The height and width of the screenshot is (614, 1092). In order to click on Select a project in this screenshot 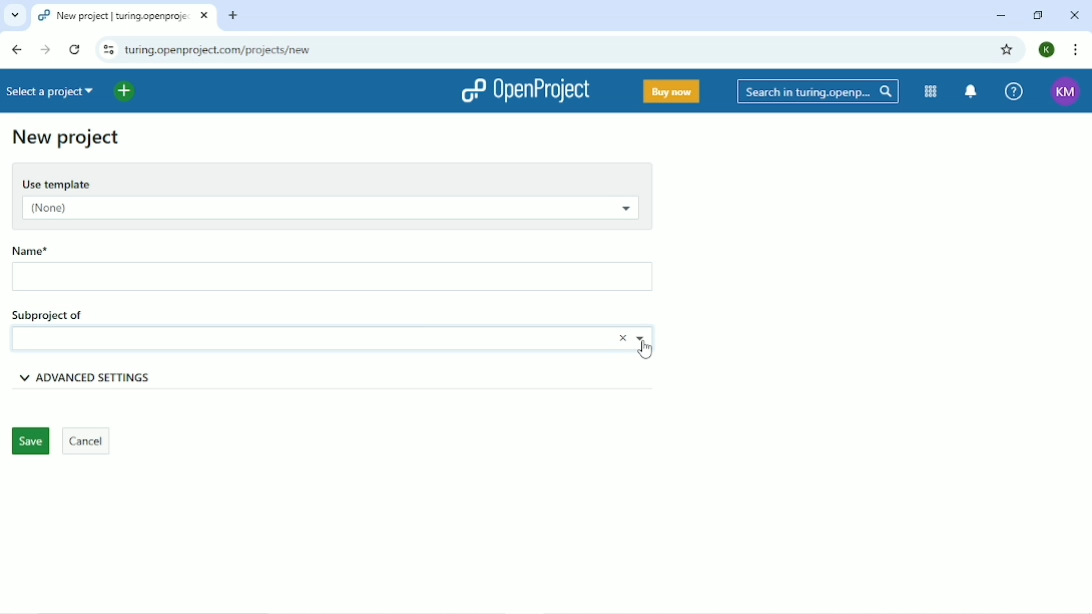, I will do `click(53, 91)`.